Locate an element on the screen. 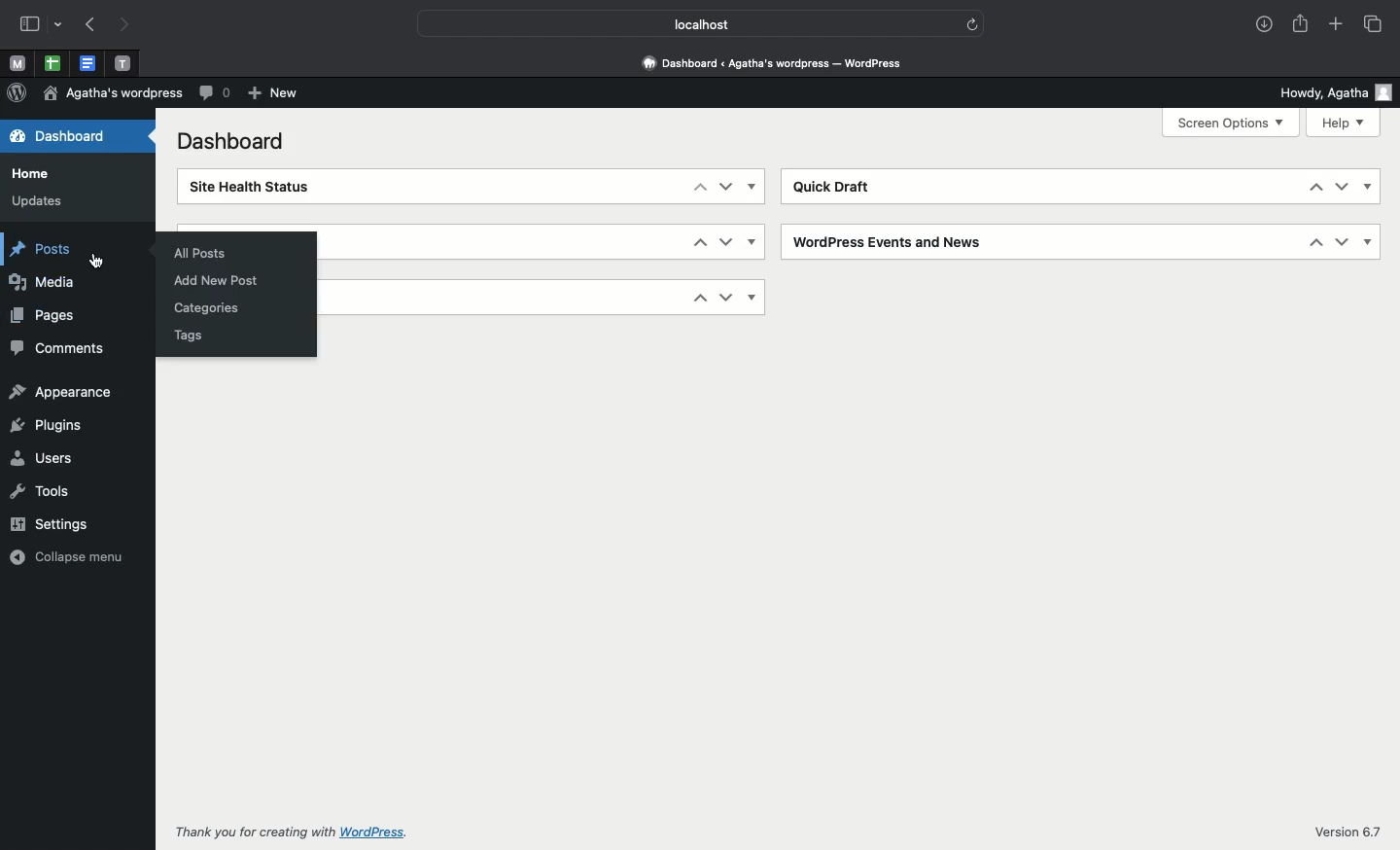 This screenshot has width=1400, height=850. refresh is located at coordinates (976, 26).